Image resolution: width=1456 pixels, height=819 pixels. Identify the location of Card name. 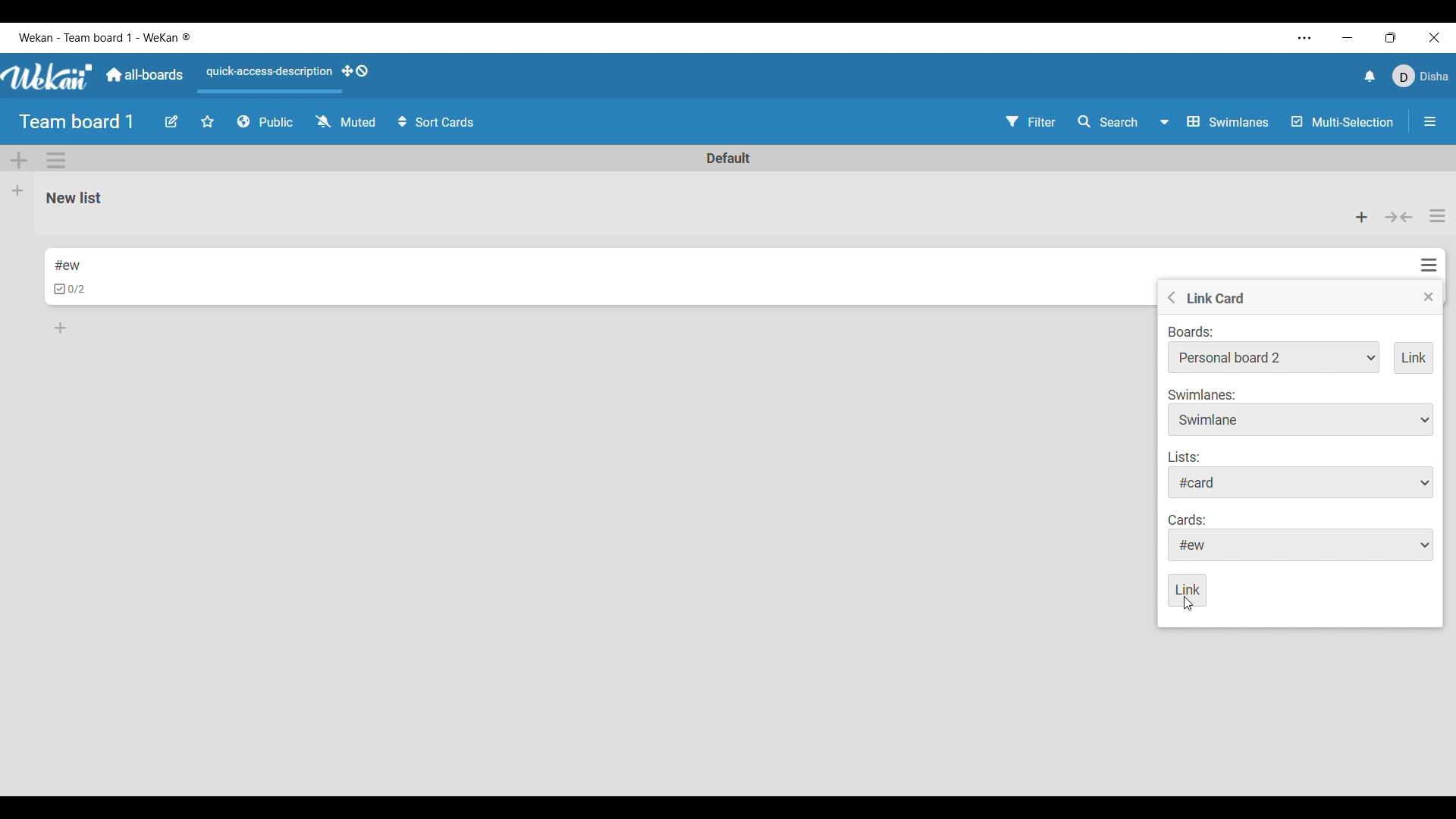
(67, 265).